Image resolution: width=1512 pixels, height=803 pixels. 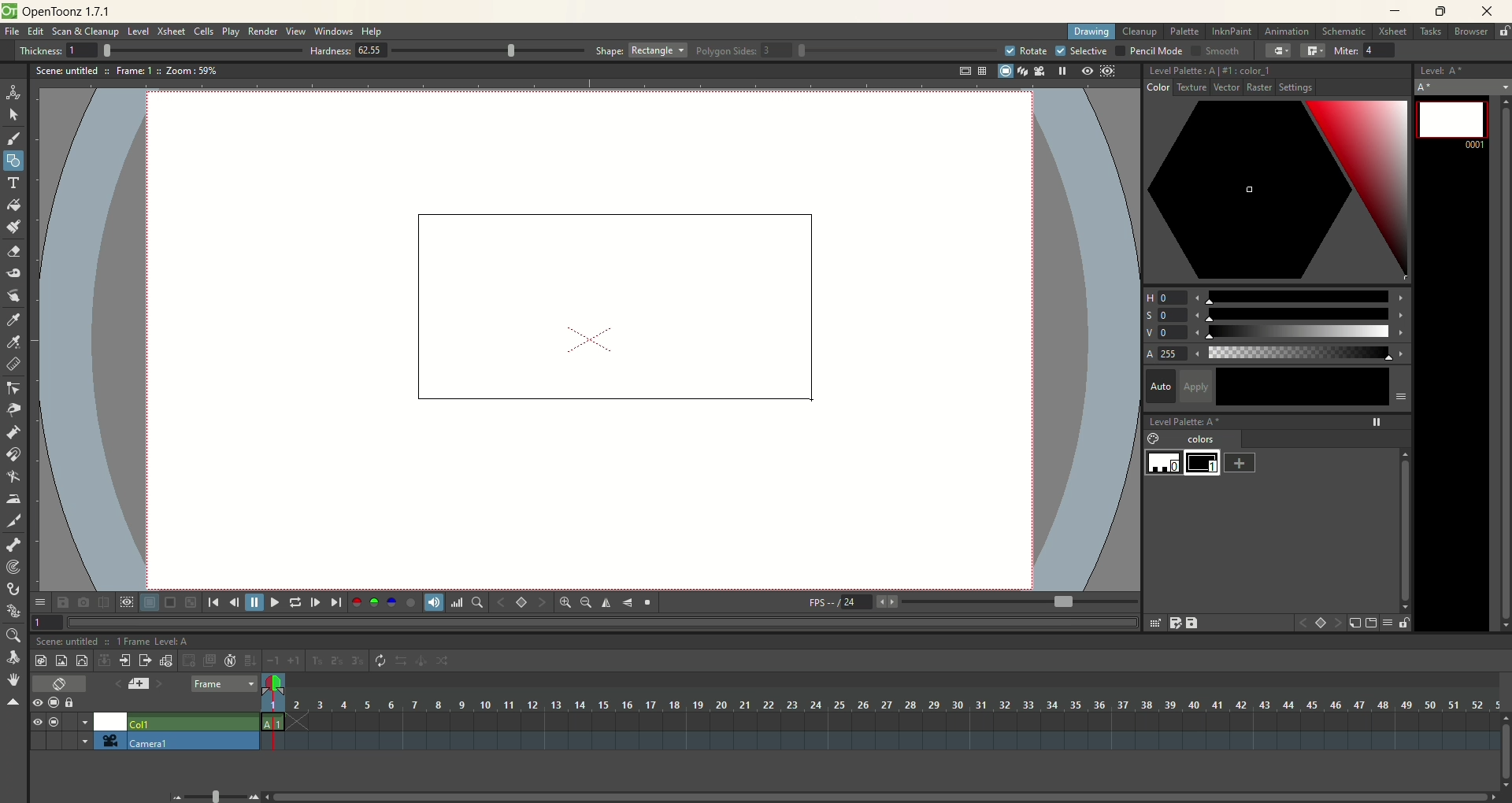 I want to click on hardness, so click(x=447, y=52).